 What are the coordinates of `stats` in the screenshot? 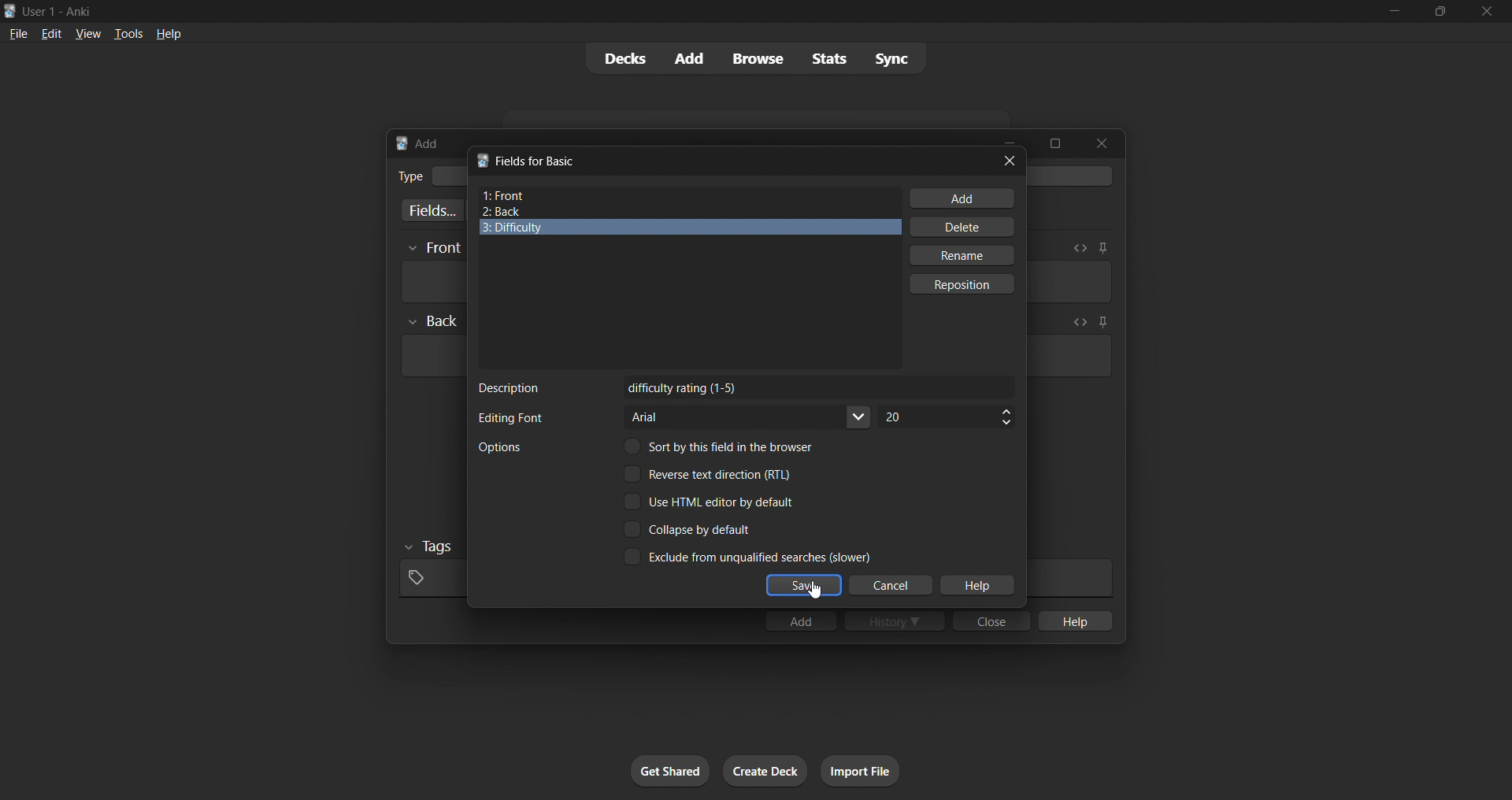 It's located at (828, 58).